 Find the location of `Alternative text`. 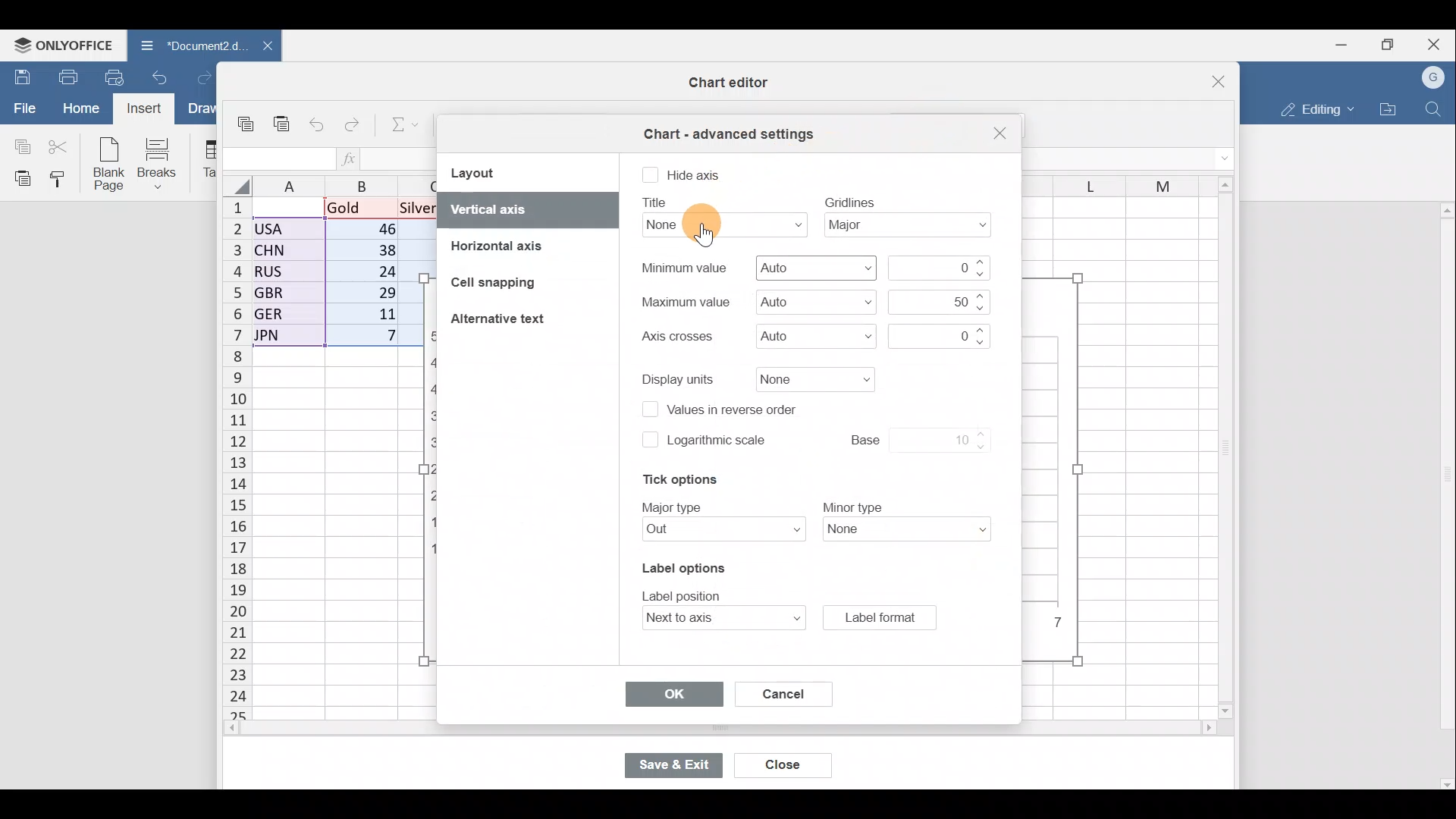

Alternative text is located at coordinates (502, 319).